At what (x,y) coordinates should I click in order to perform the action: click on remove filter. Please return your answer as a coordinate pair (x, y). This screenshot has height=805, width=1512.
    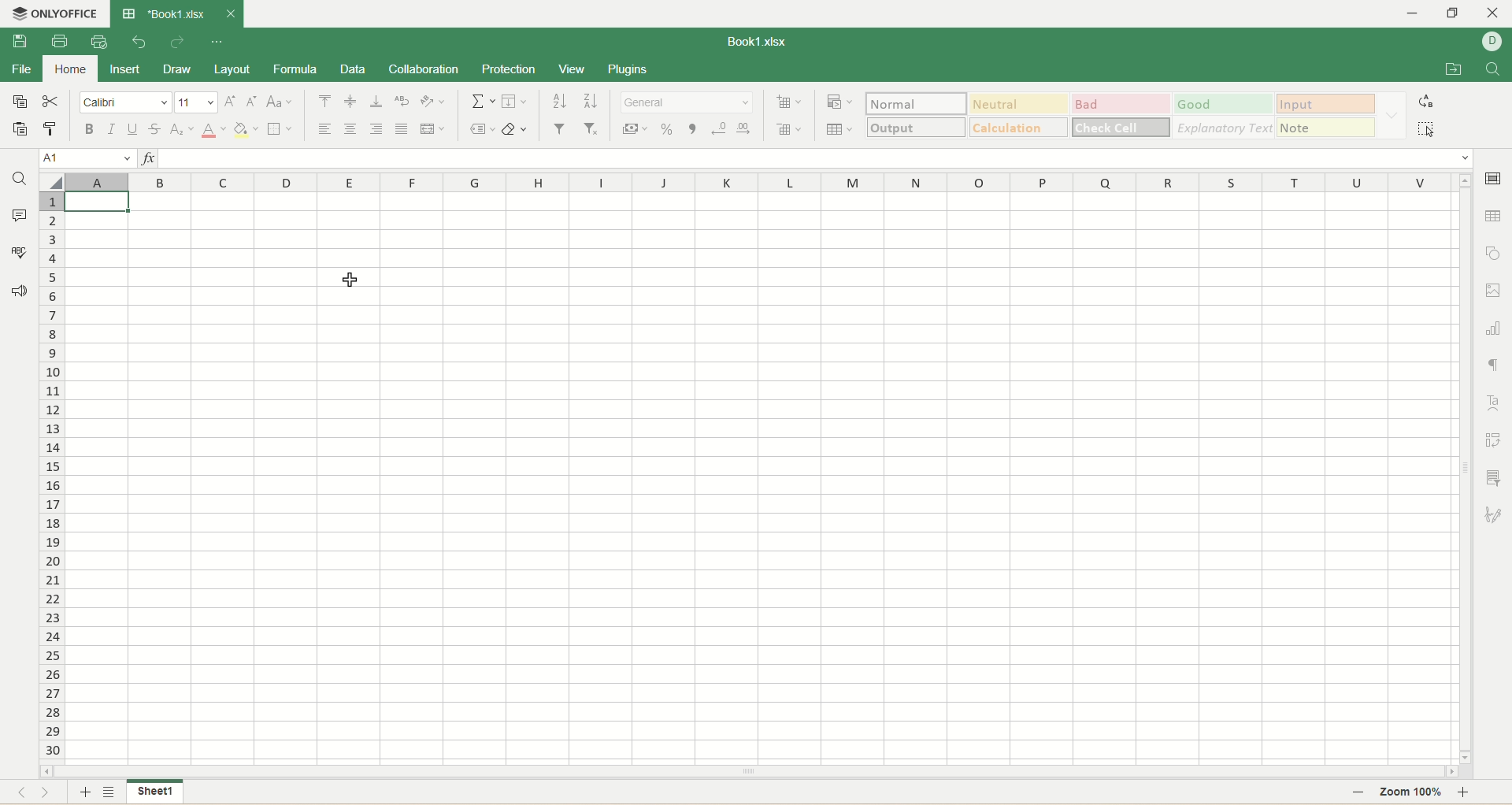
    Looking at the image, I should click on (594, 128).